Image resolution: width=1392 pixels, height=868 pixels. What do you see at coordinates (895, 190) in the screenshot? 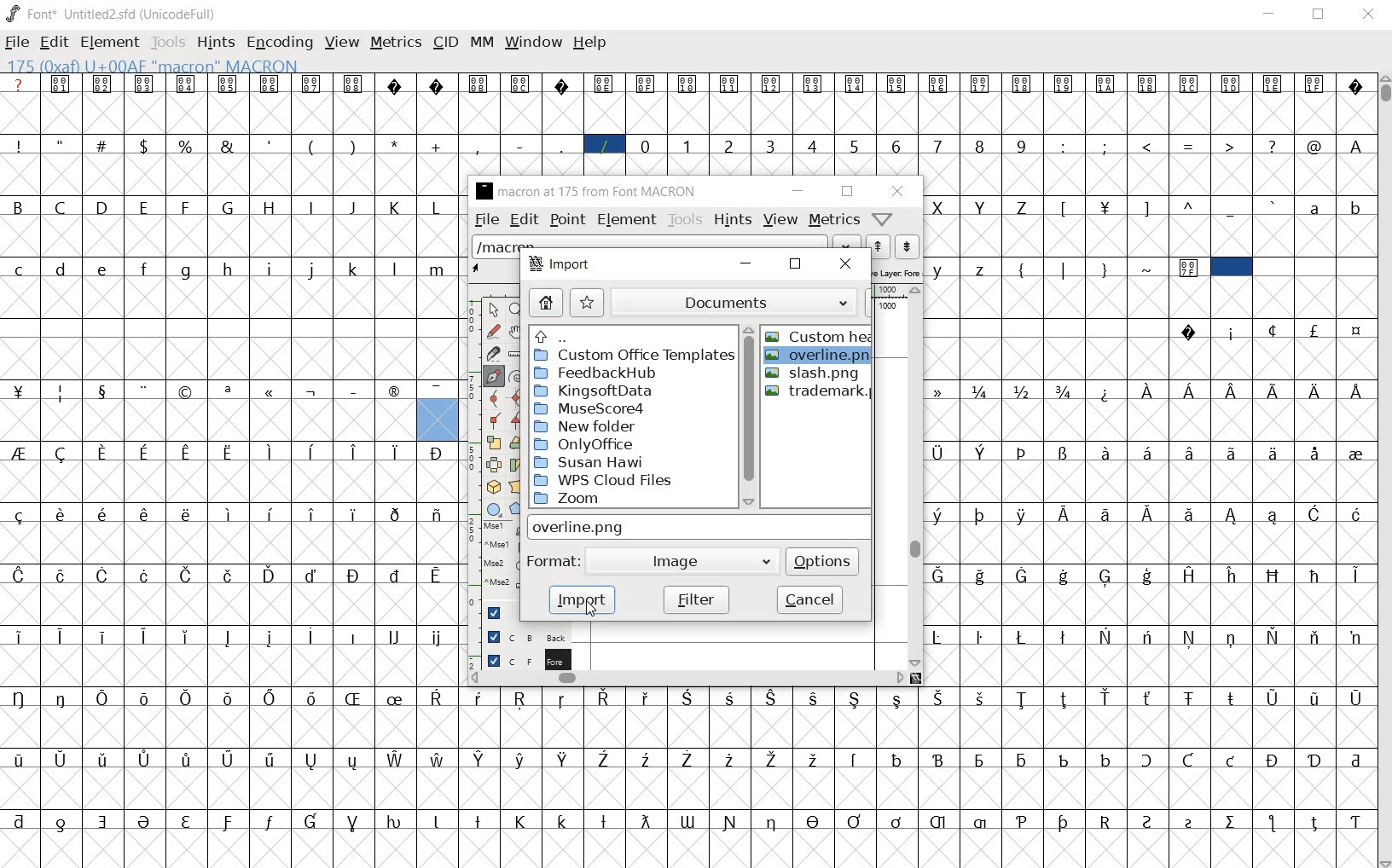
I see `close` at bounding box center [895, 190].